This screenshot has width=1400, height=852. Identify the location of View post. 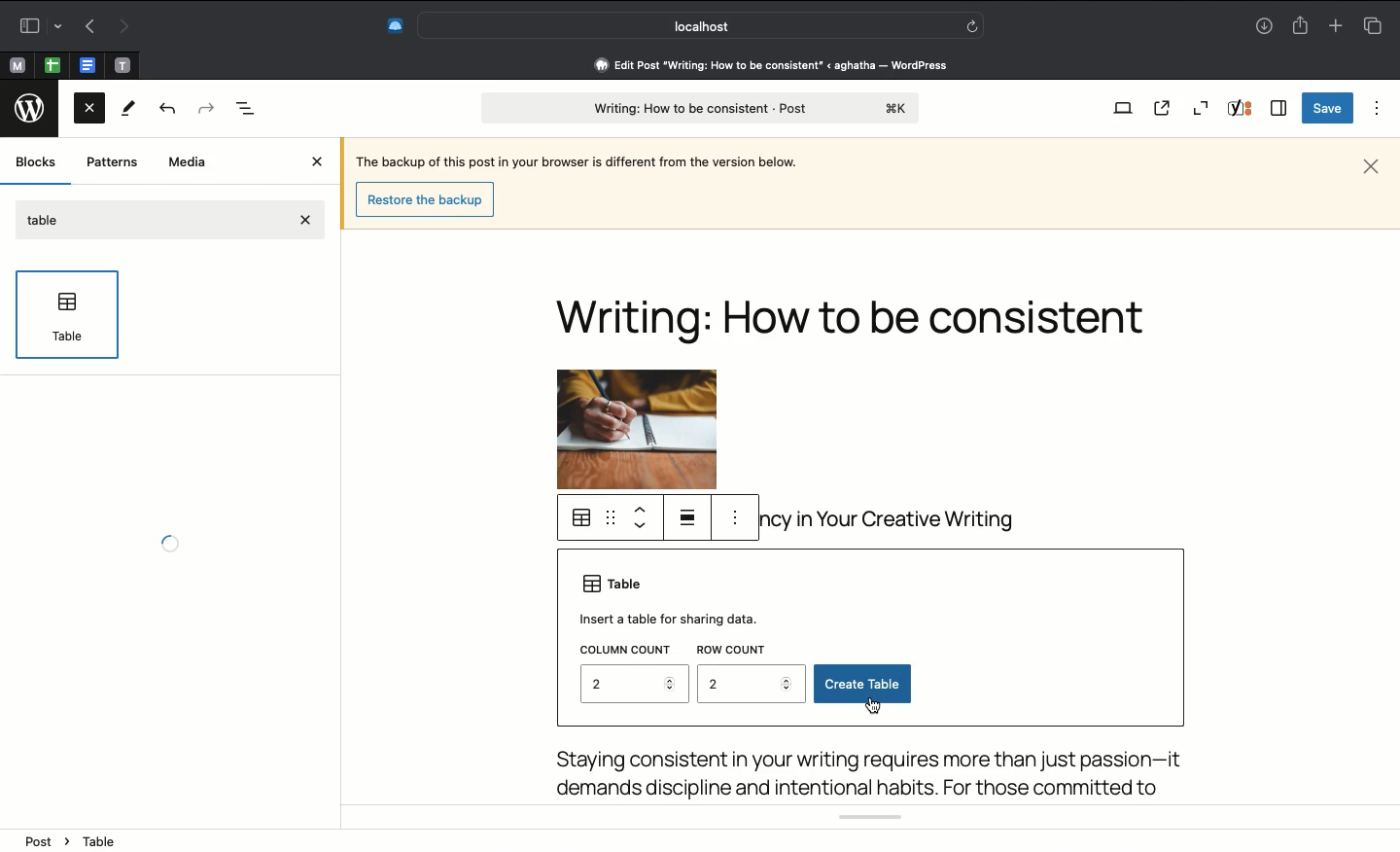
(1162, 108).